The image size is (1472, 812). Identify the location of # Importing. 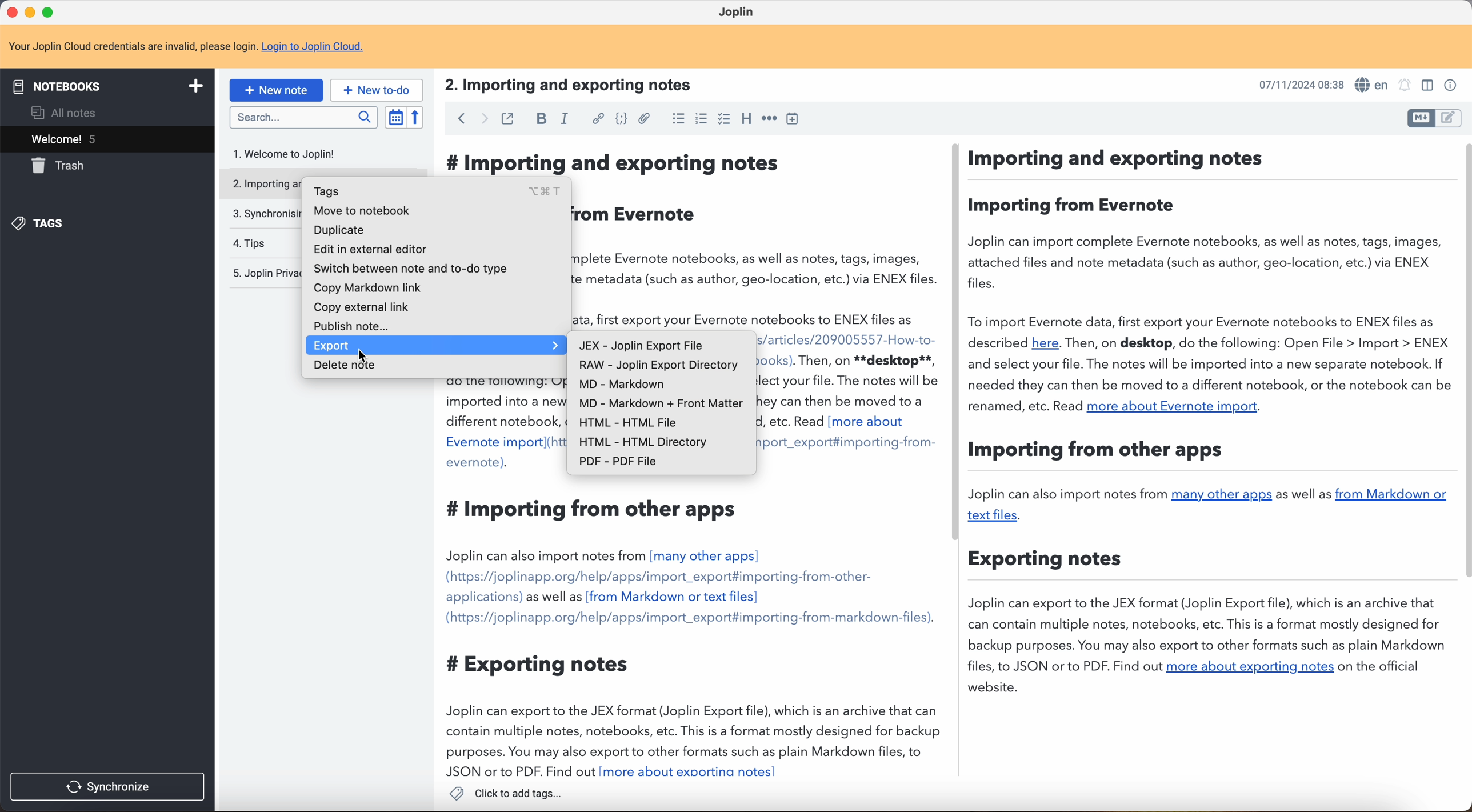
(502, 164).